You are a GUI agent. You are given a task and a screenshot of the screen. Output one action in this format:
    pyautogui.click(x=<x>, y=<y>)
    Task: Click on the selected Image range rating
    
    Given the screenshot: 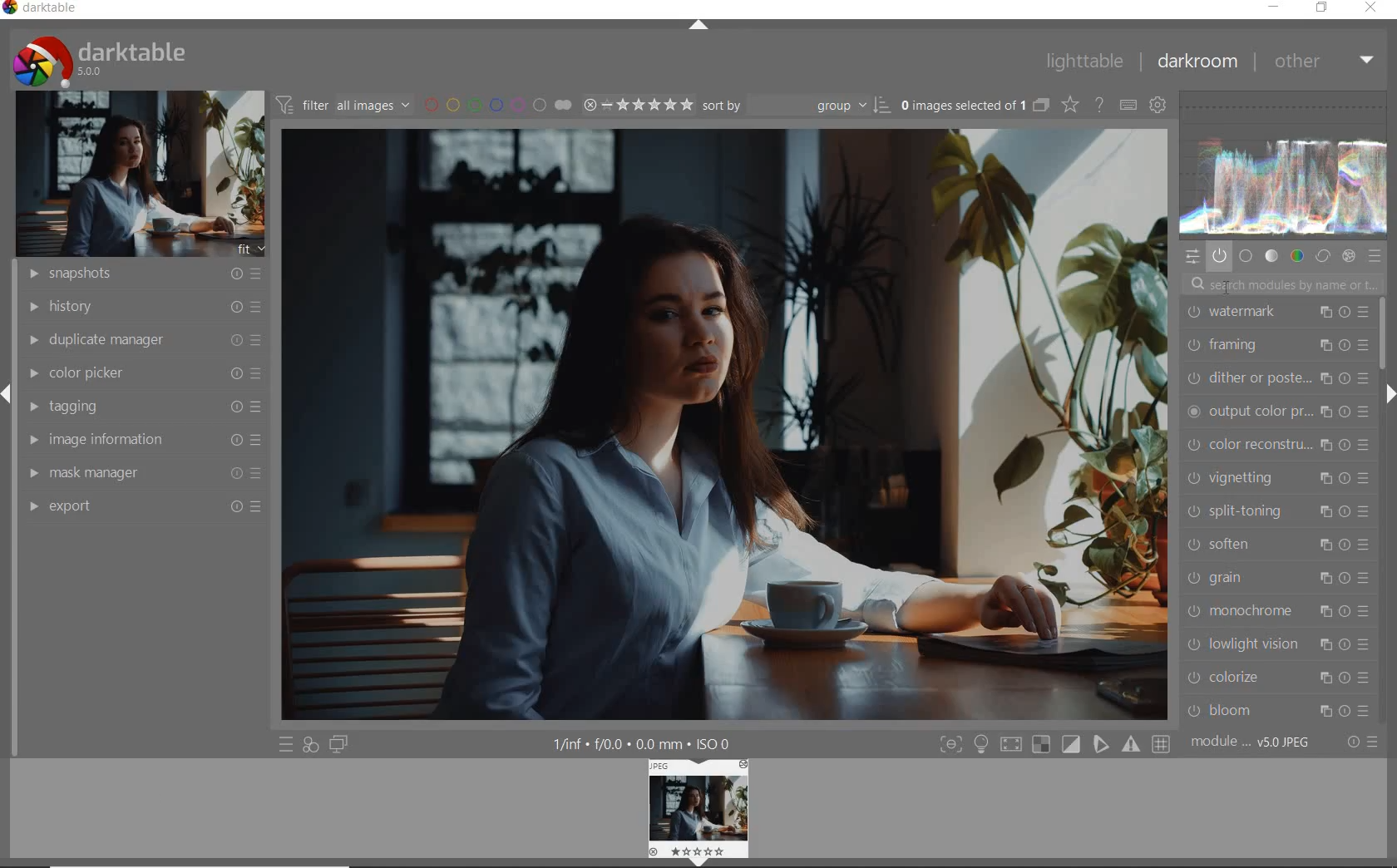 What is the action you would take?
    pyautogui.click(x=639, y=105)
    